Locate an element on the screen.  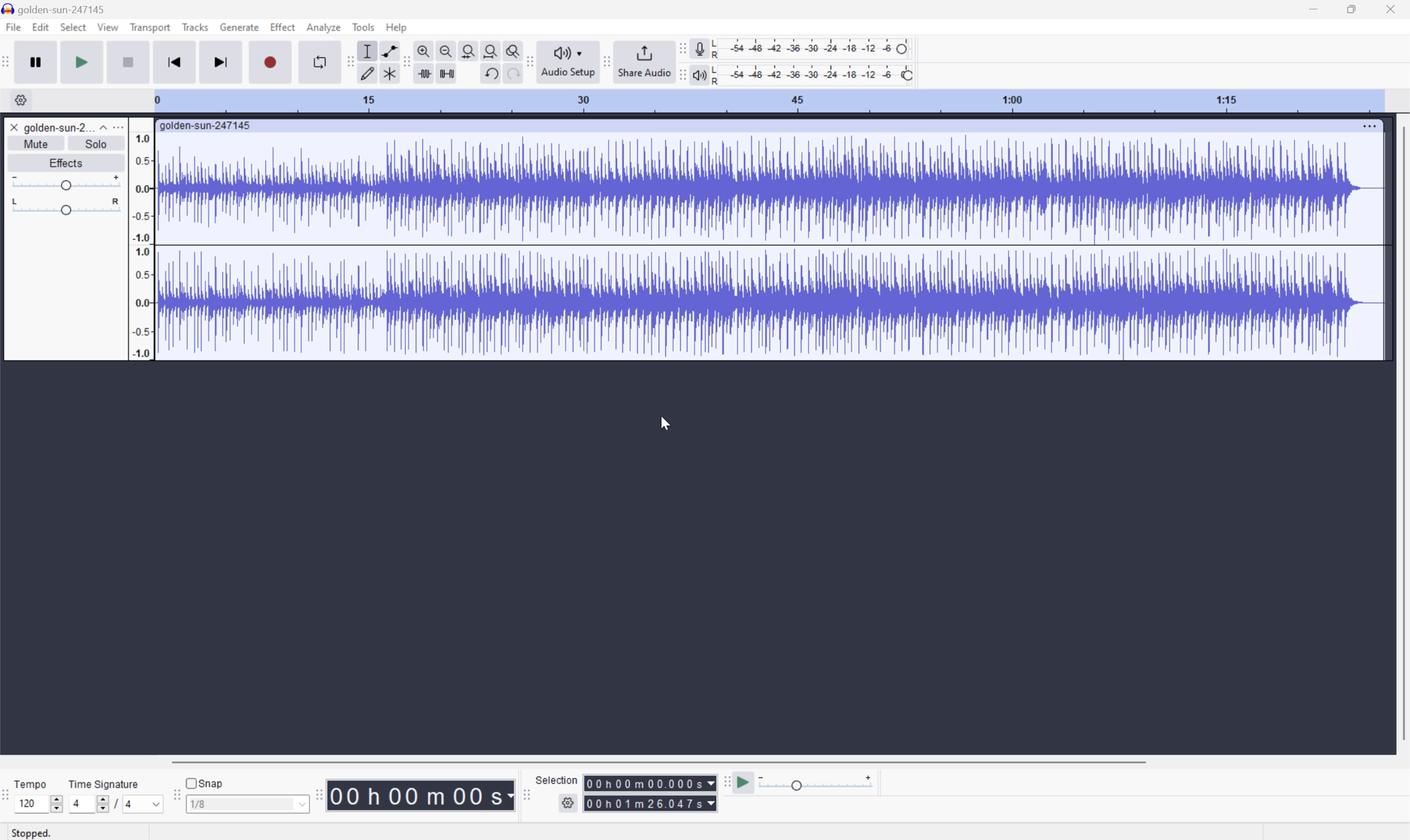
Selection is located at coordinates (650, 803).